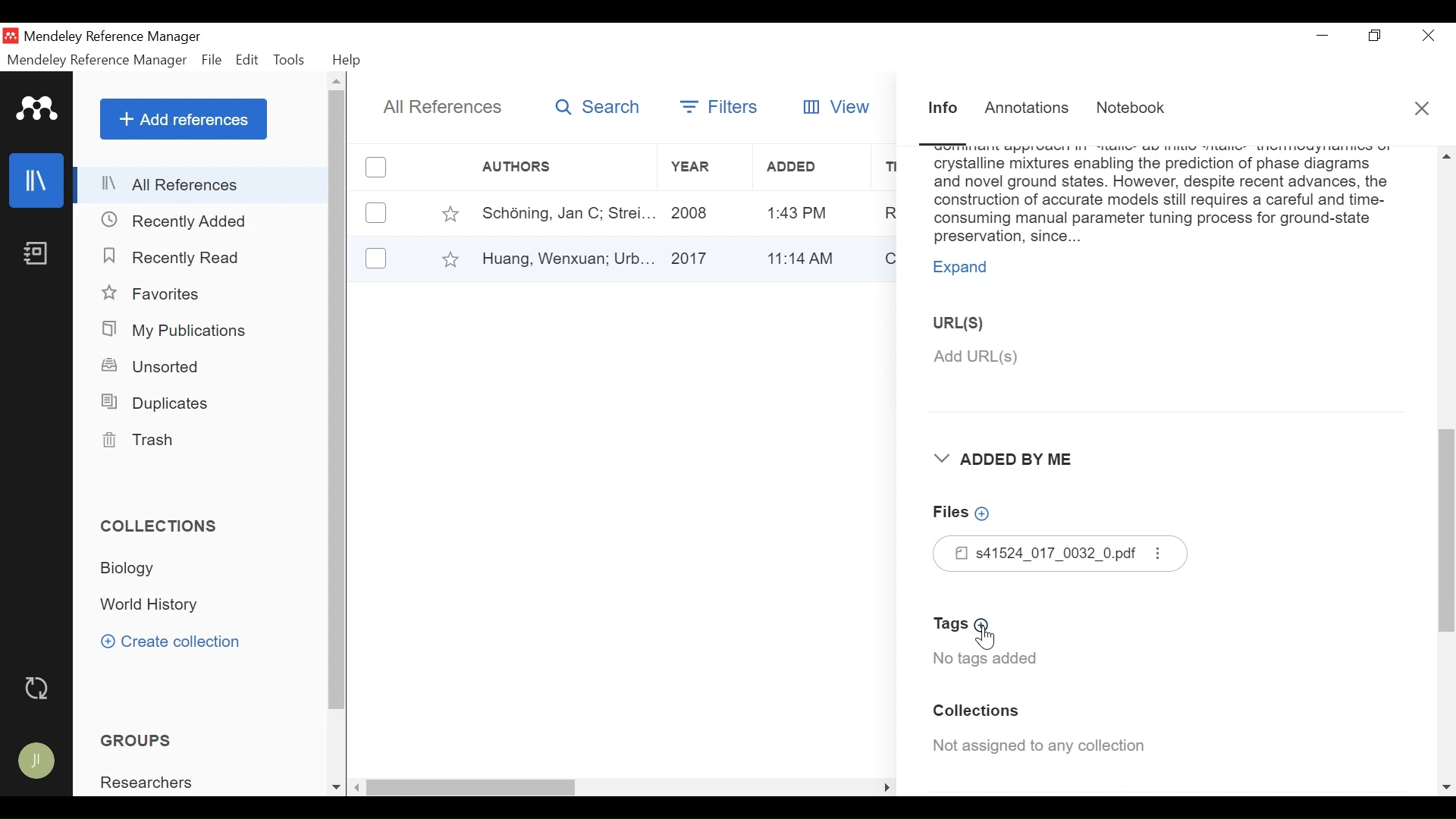  Describe the element at coordinates (1028, 110) in the screenshot. I see `Annotations` at that location.